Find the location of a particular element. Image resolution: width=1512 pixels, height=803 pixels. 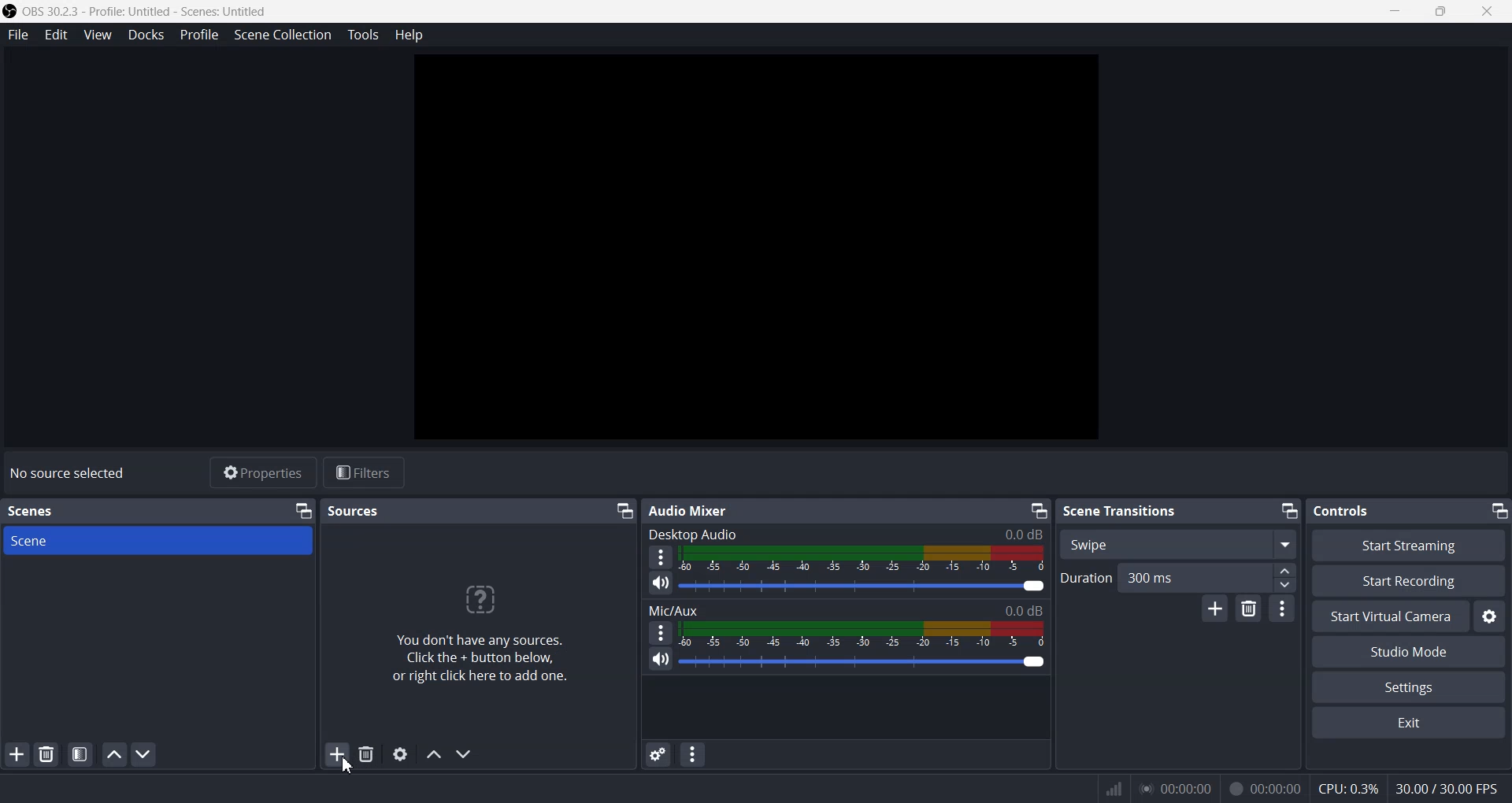

Audio Mixer is located at coordinates (688, 509).